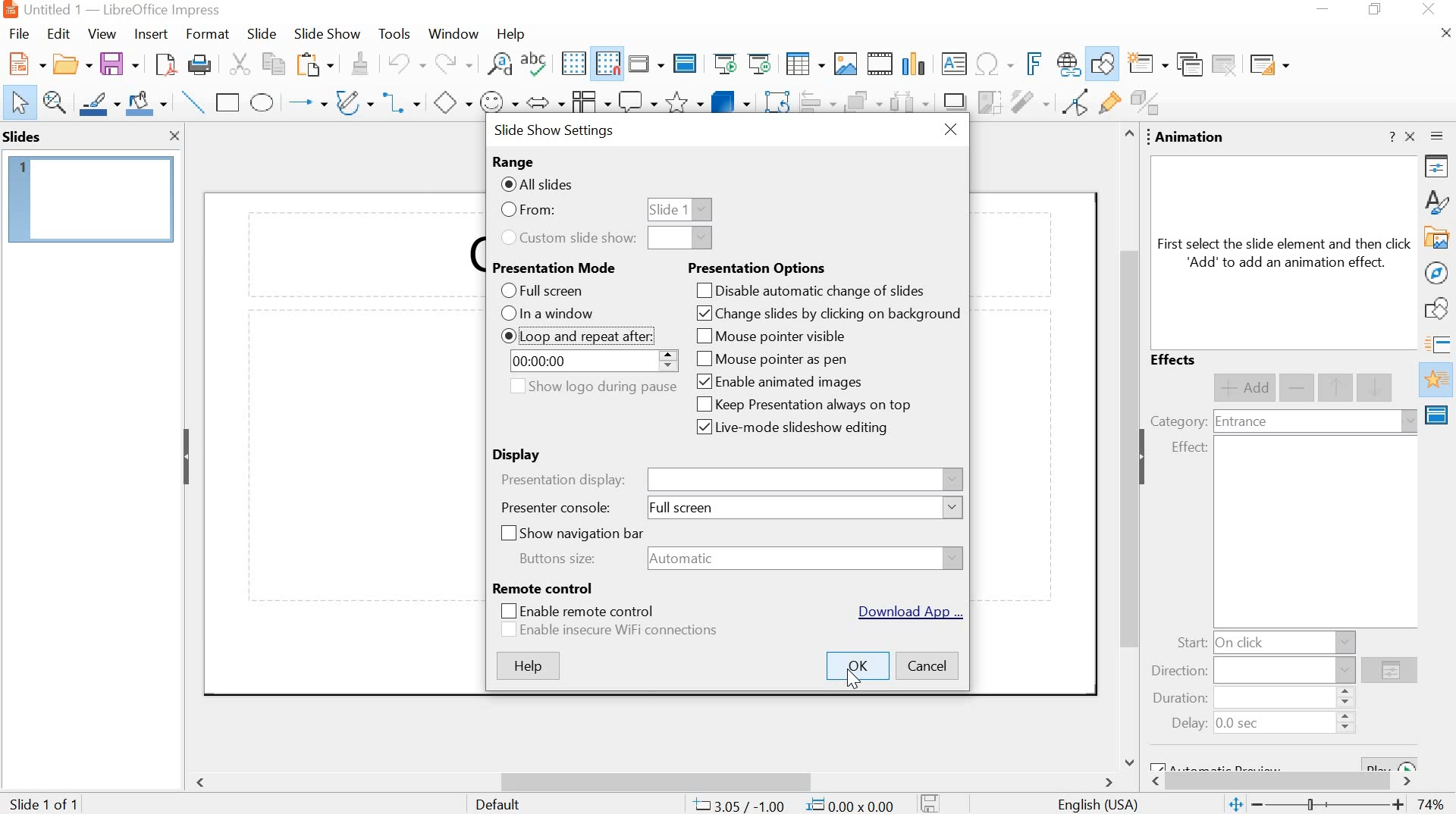  Describe the element at coordinates (780, 384) in the screenshot. I see `enable animated images` at that location.